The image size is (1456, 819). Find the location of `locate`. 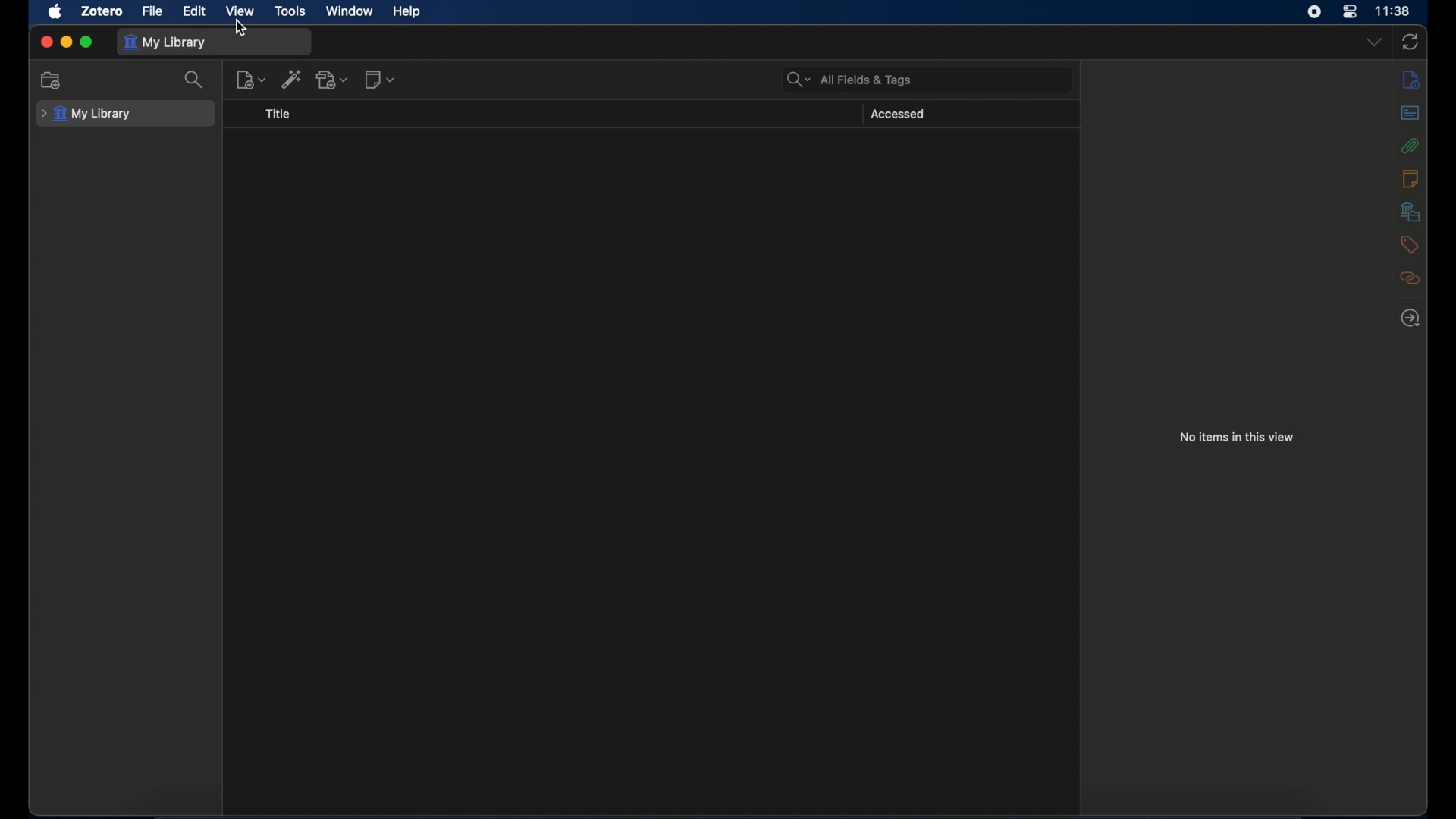

locate is located at coordinates (1410, 318).